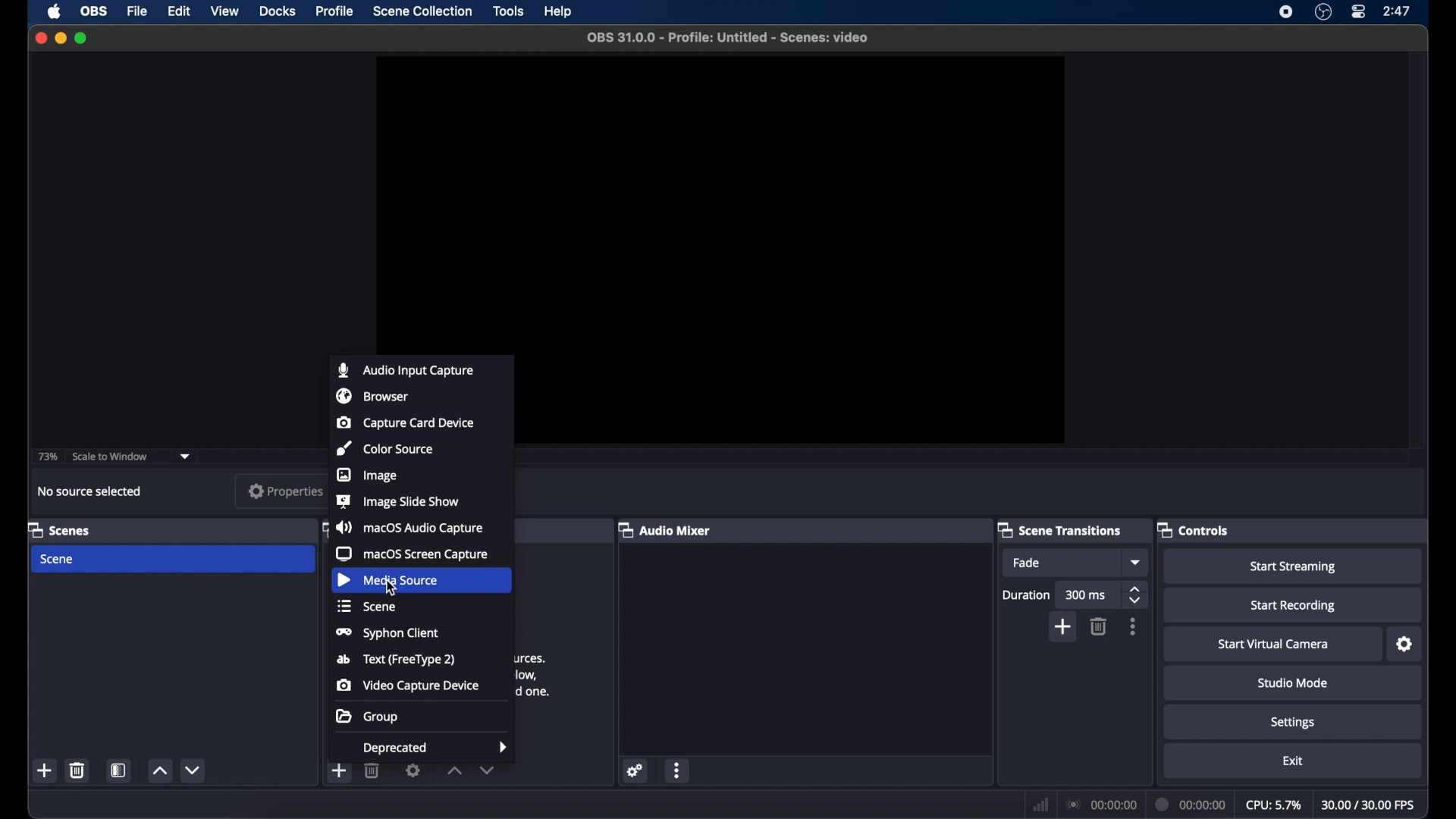 This screenshot has width=1456, height=819. Describe the element at coordinates (59, 38) in the screenshot. I see `minimize` at that location.